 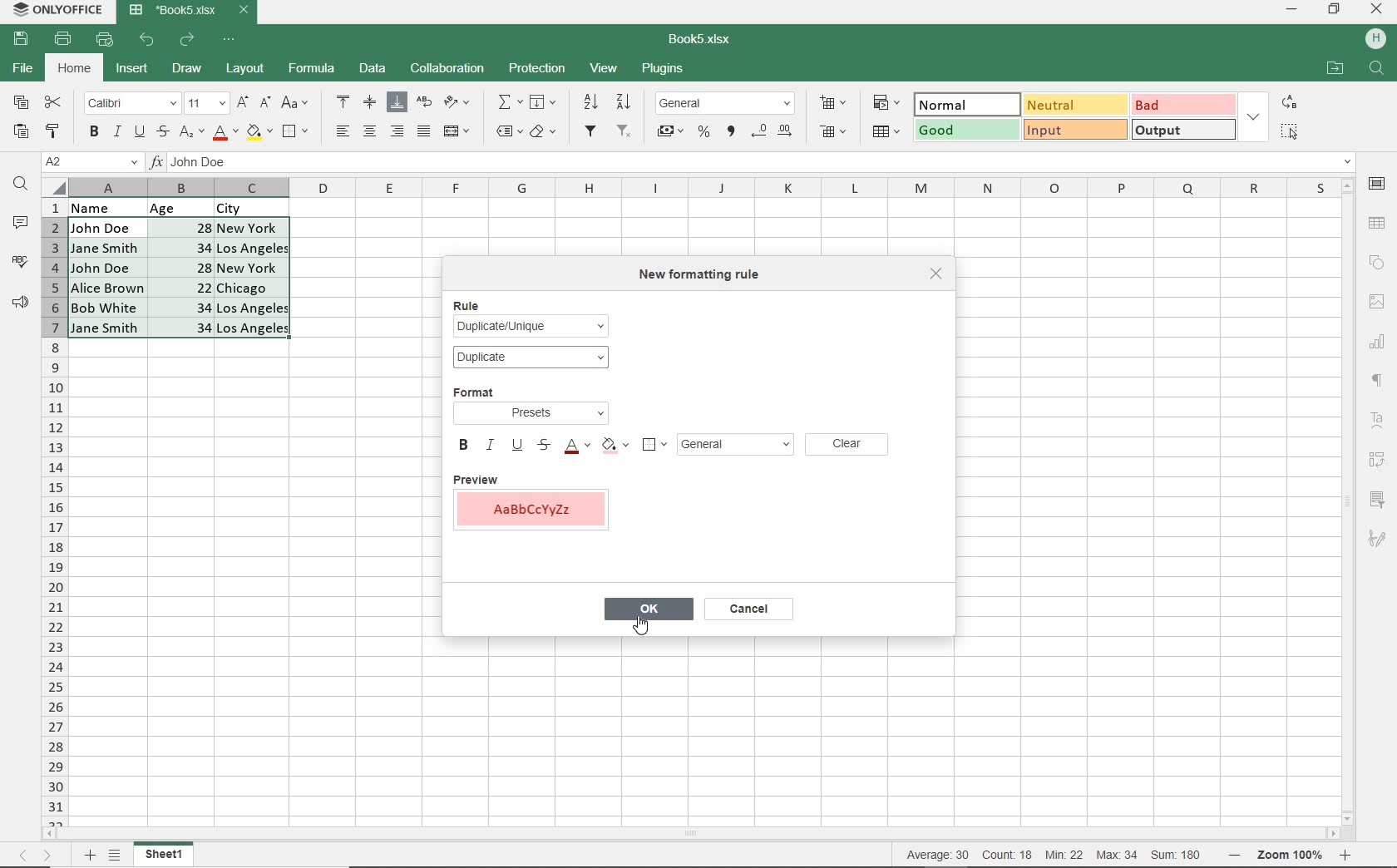 I want to click on SIGNATURE, so click(x=1377, y=538).